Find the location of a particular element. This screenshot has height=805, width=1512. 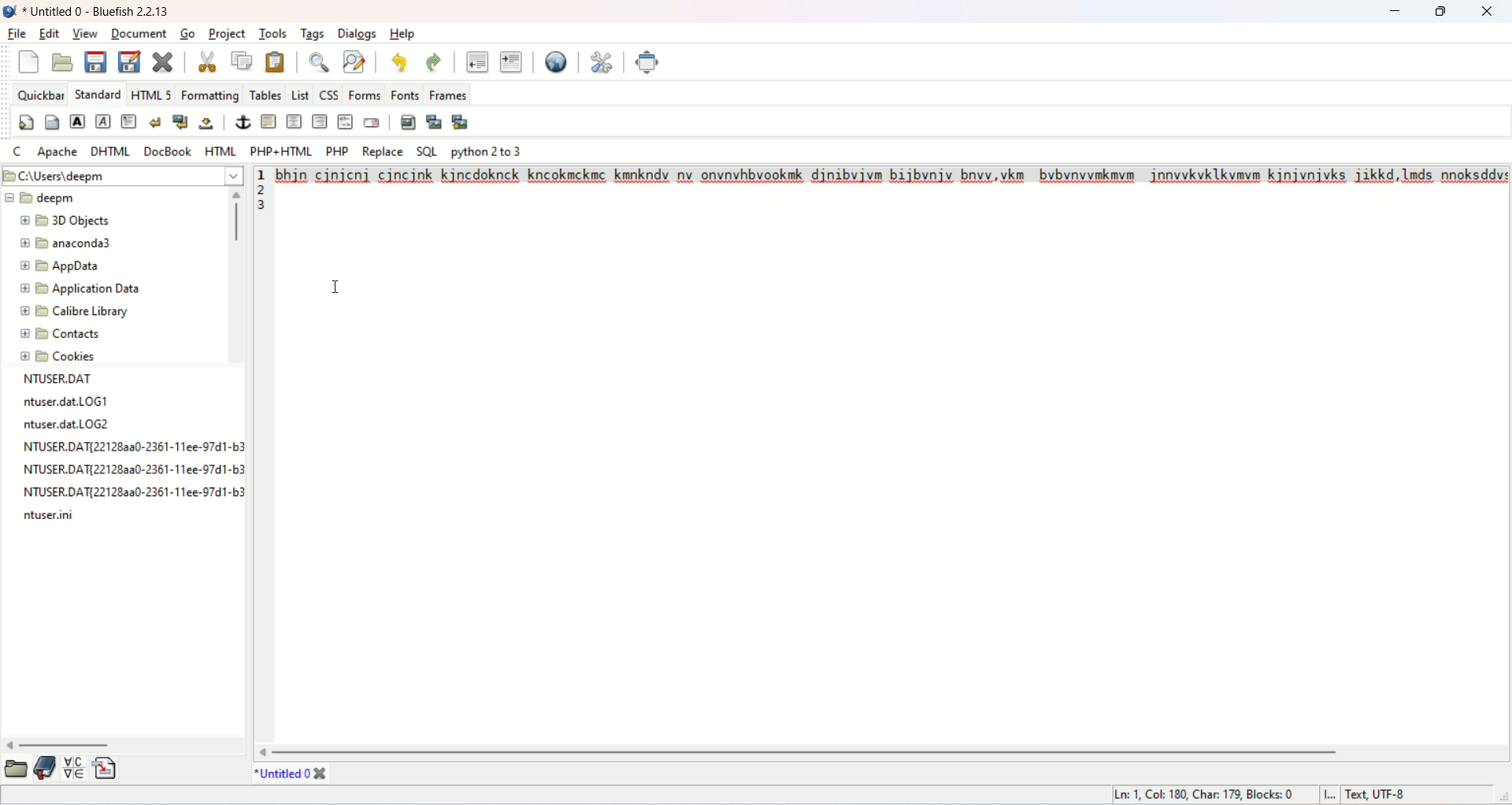

dialogs is located at coordinates (361, 33).